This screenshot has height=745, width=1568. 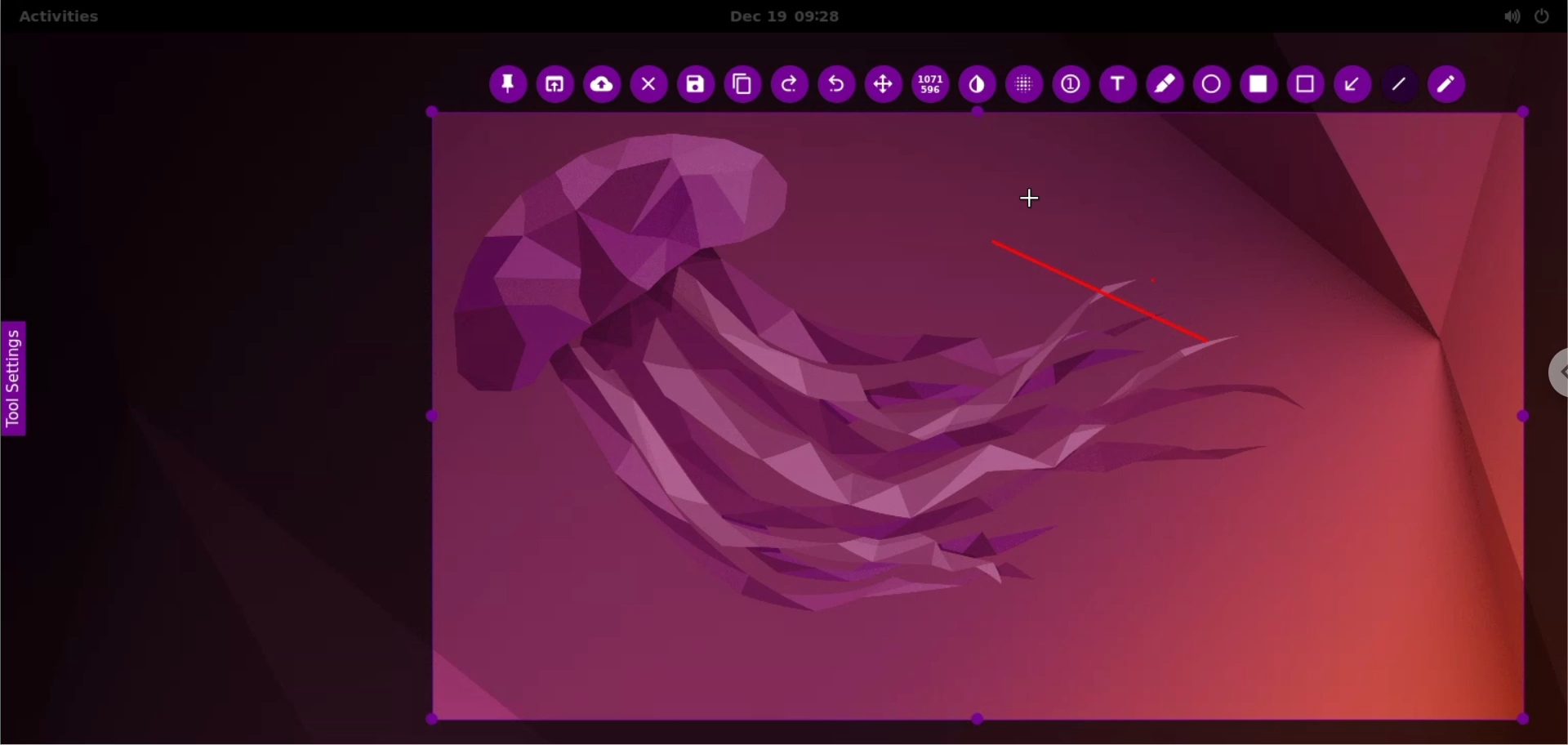 I want to click on arrow, so click(x=1350, y=83).